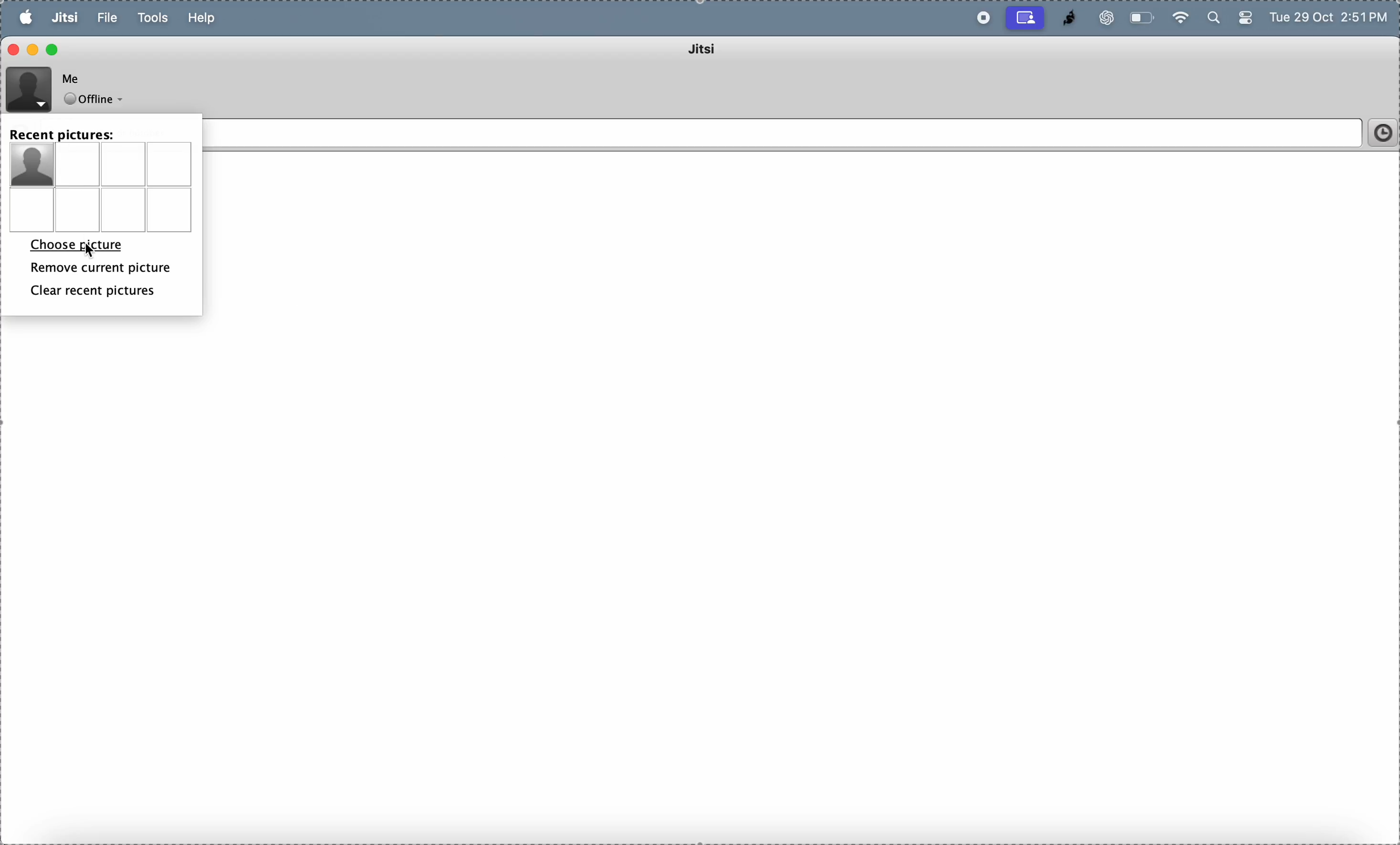 The width and height of the screenshot is (1400, 845). Describe the element at coordinates (1102, 18) in the screenshot. I see `chatgpt` at that location.